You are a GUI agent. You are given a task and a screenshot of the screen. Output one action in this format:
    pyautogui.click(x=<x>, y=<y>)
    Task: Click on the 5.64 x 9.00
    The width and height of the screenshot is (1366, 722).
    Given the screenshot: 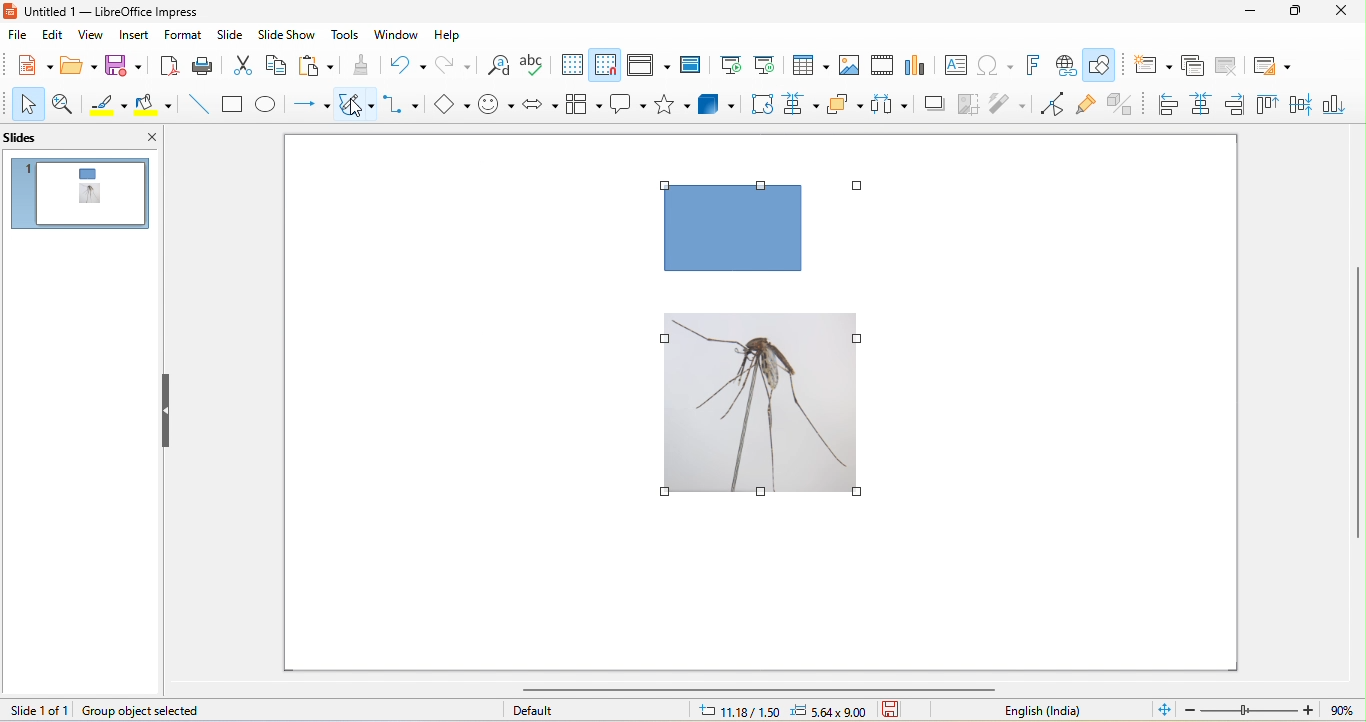 What is the action you would take?
    pyautogui.click(x=832, y=712)
    